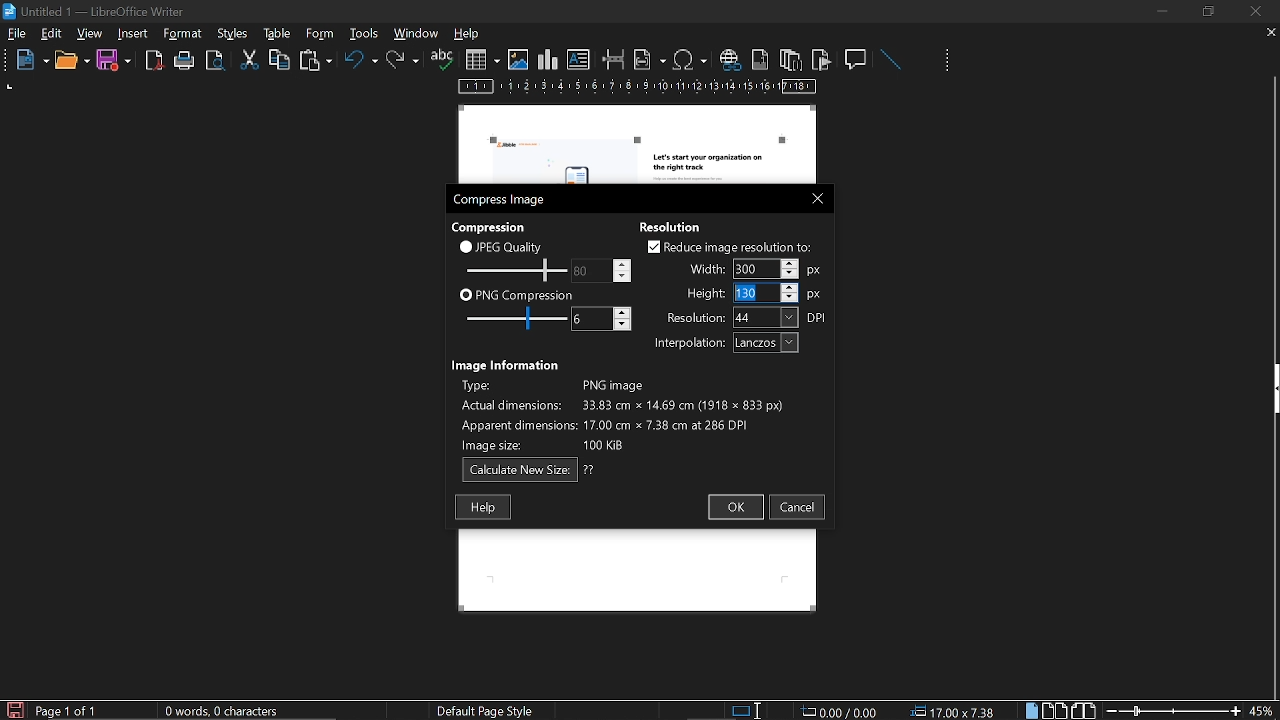 The image size is (1280, 720). What do you see at coordinates (579, 60) in the screenshot?
I see `insert text` at bounding box center [579, 60].